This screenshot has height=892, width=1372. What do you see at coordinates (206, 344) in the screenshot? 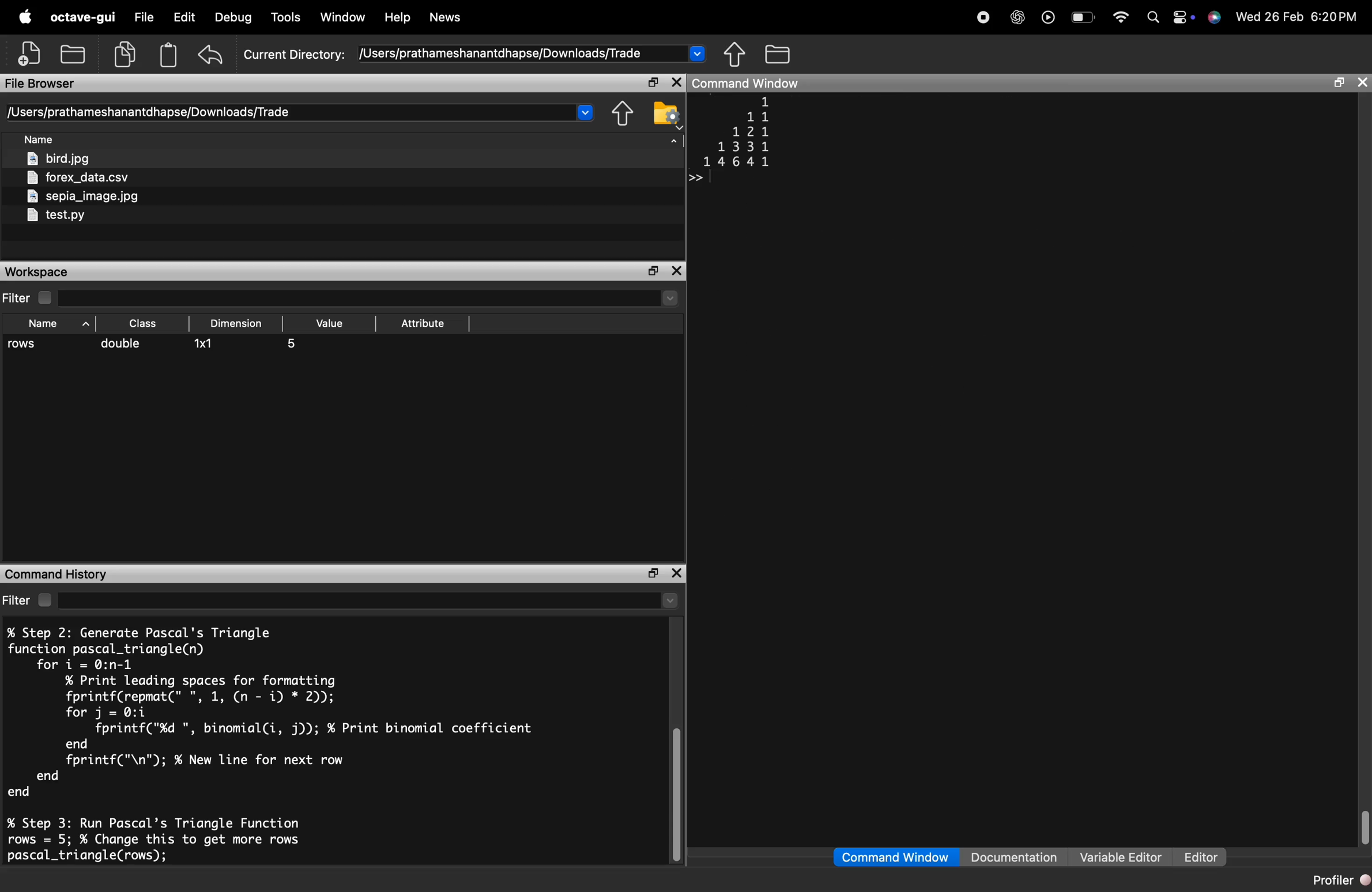
I see `1x1` at bounding box center [206, 344].